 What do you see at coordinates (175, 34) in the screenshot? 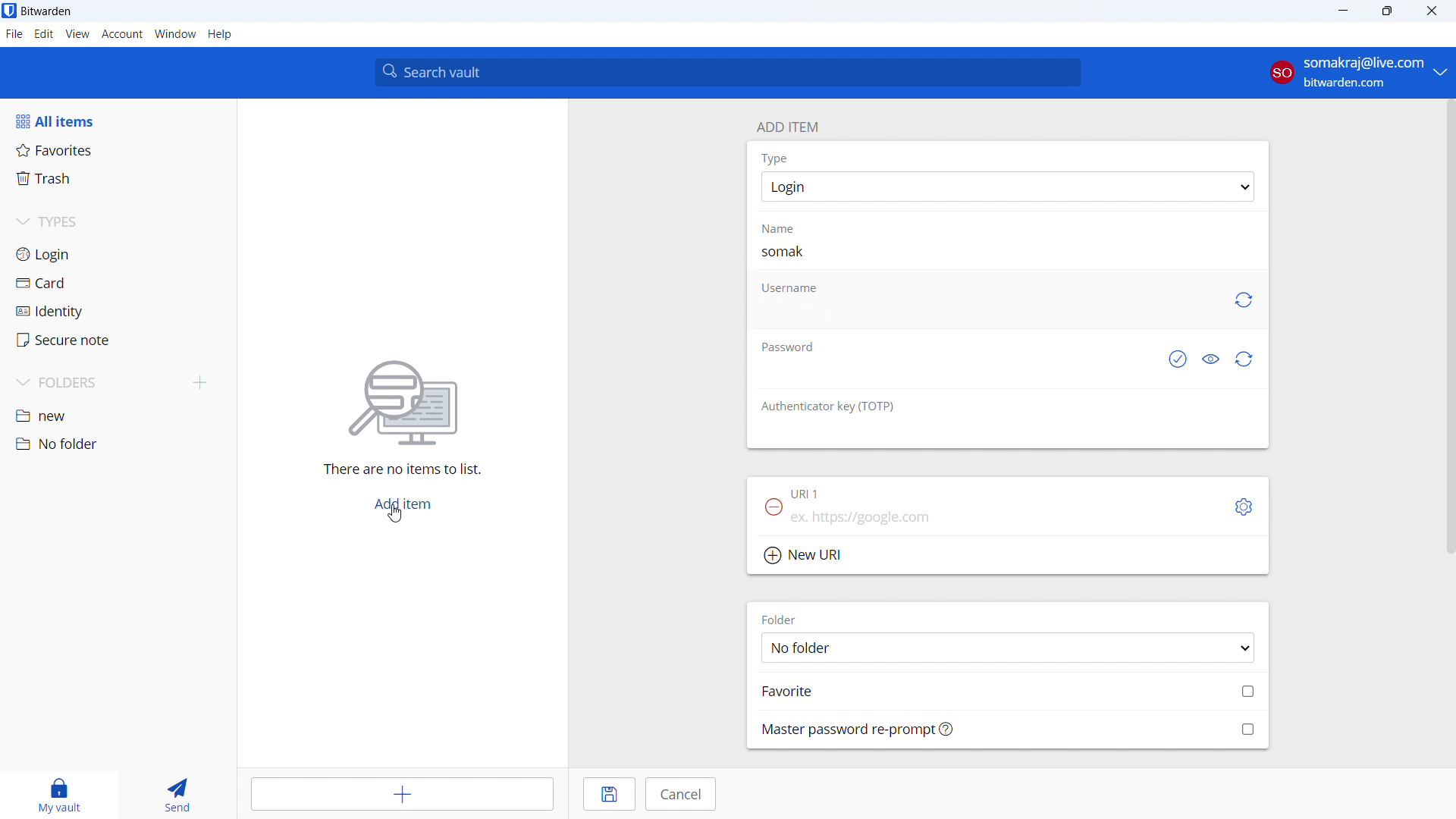
I see `window` at bounding box center [175, 34].